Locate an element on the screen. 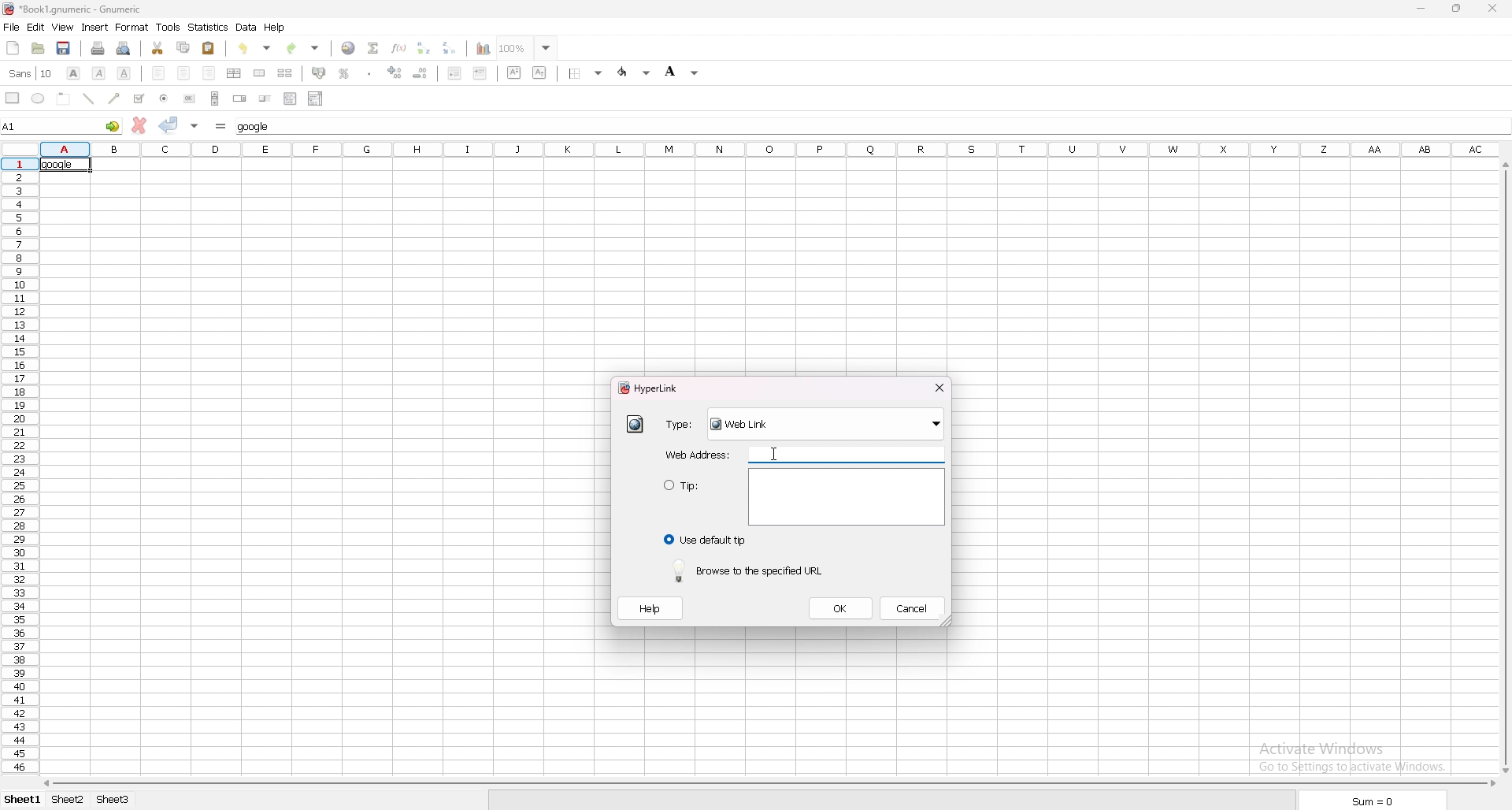 This screenshot has width=1512, height=810. print preview is located at coordinates (125, 48).